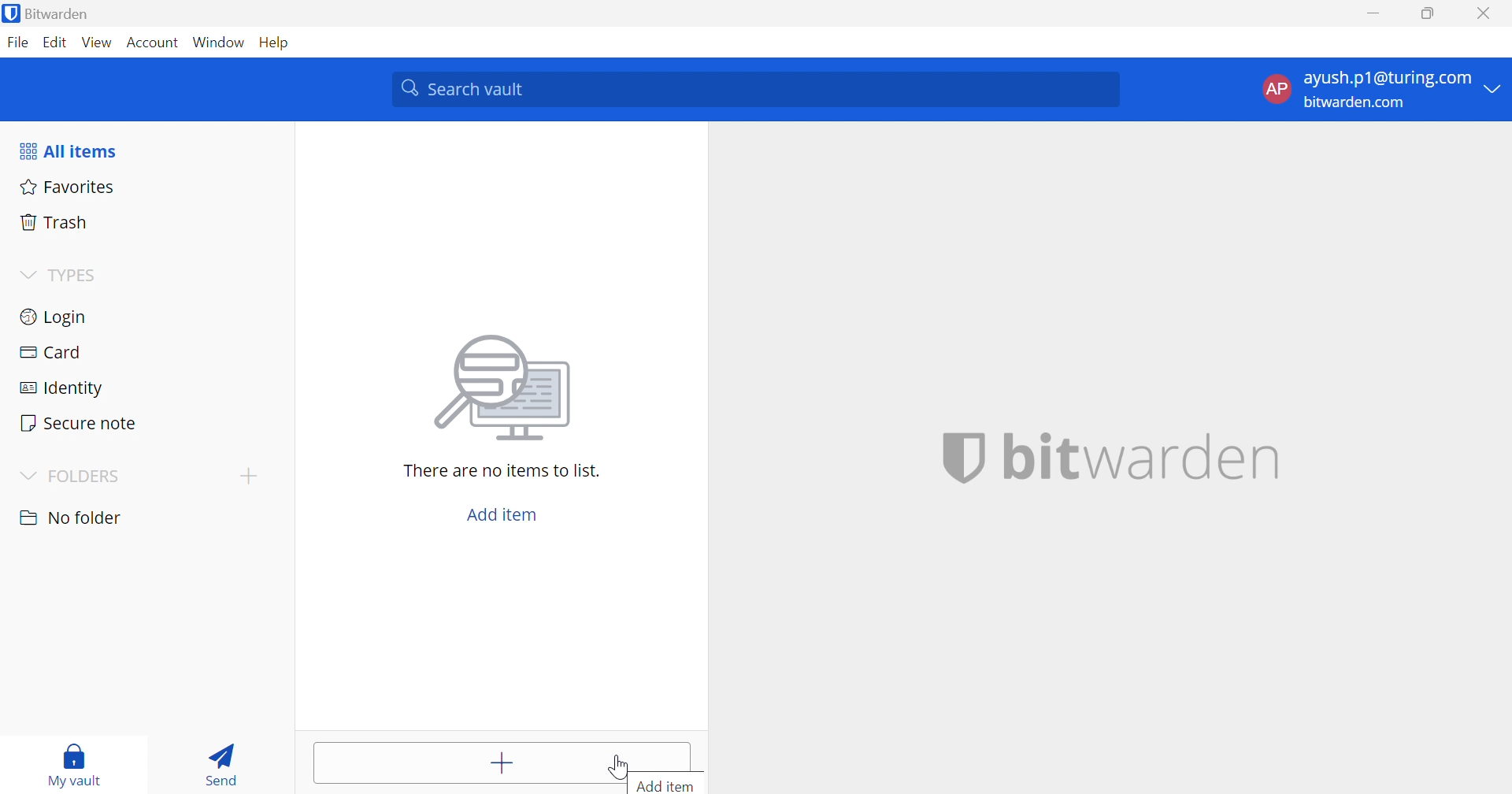 The image size is (1512, 794). Describe the element at coordinates (507, 383) in the screenshot. I see `image` at that location.